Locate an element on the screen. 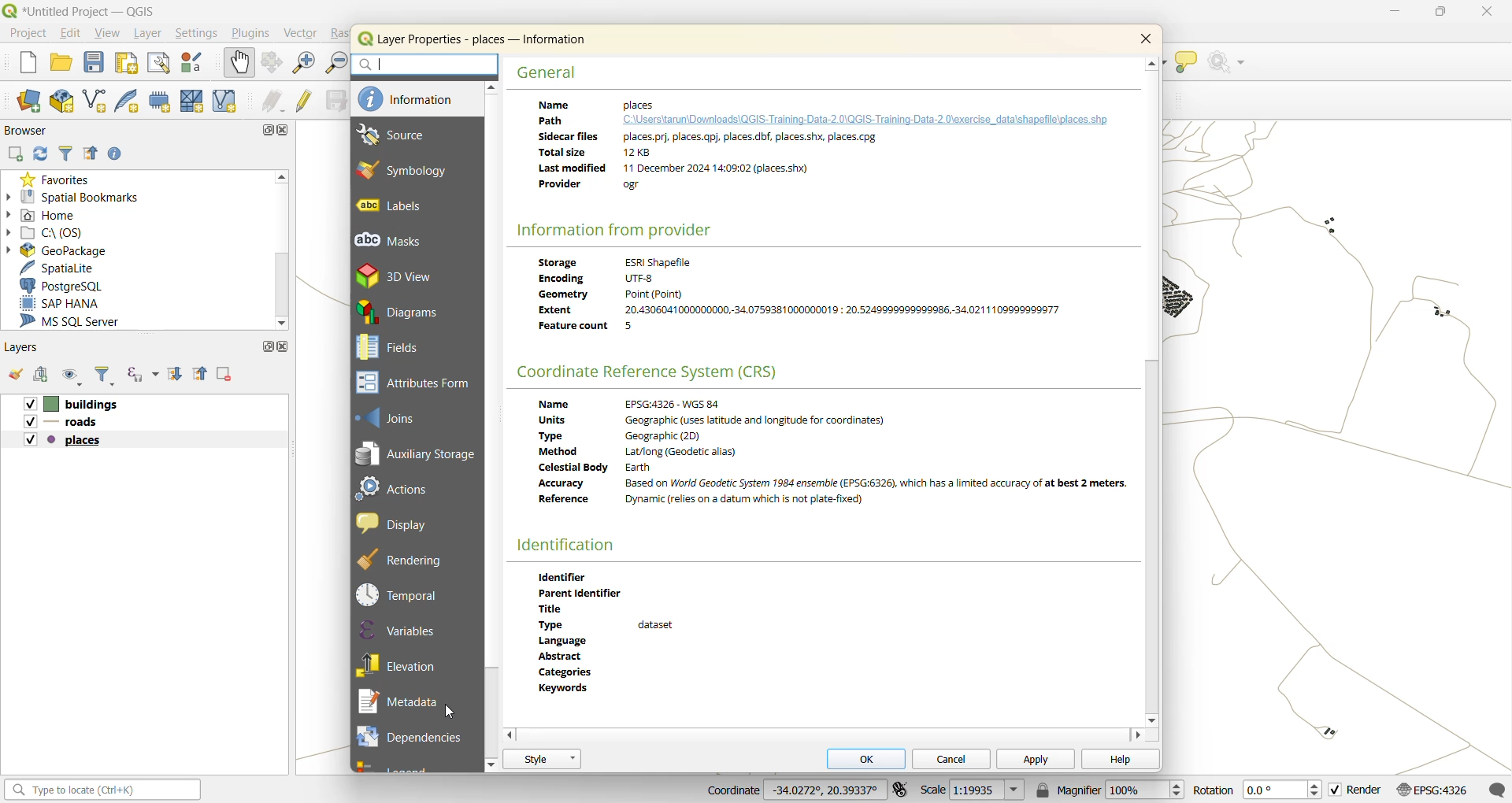  diagrams is located at coordinates (402, 312).